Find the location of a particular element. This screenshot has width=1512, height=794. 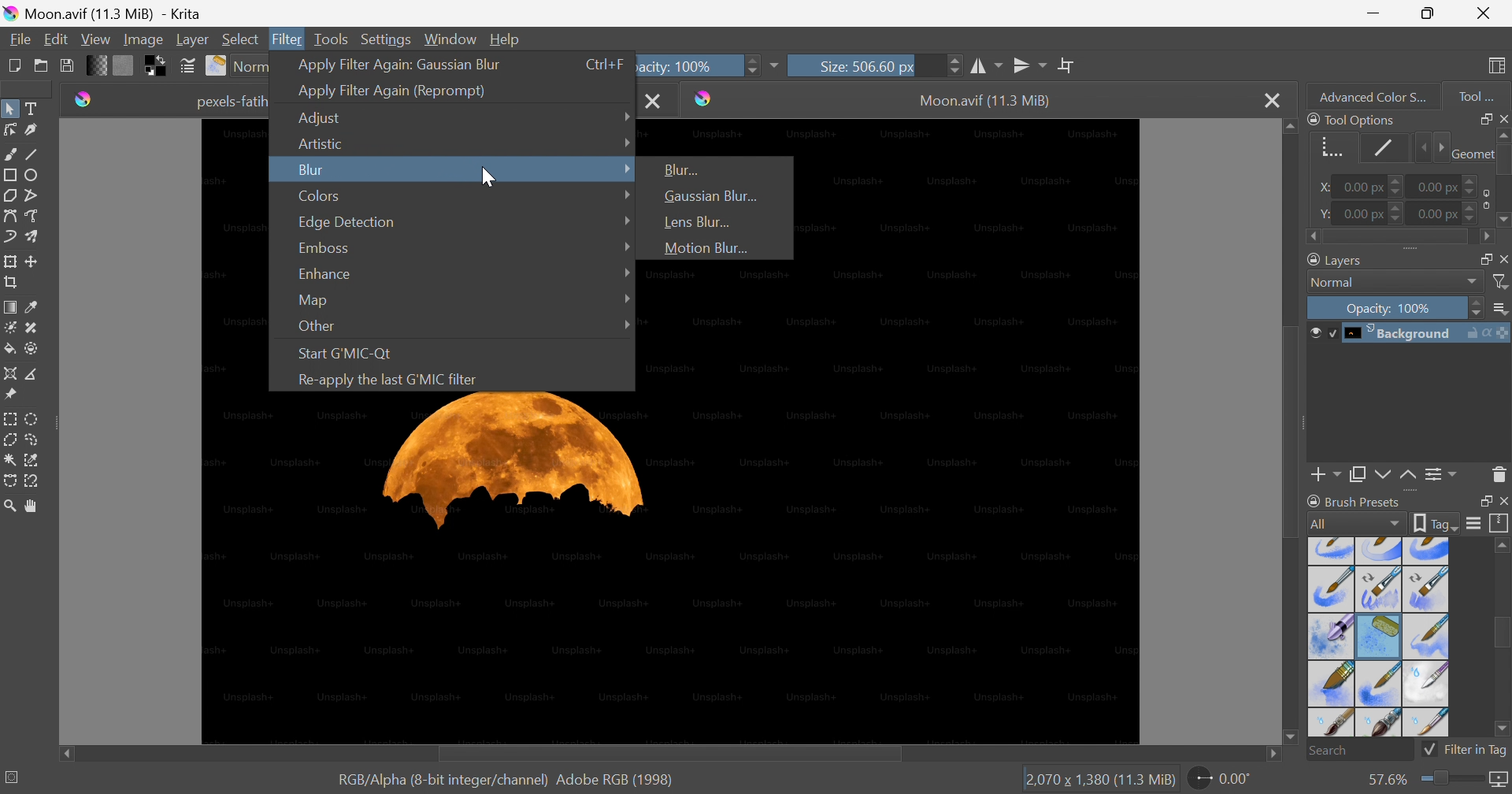

Artistic is located at coordinates (317, 145).